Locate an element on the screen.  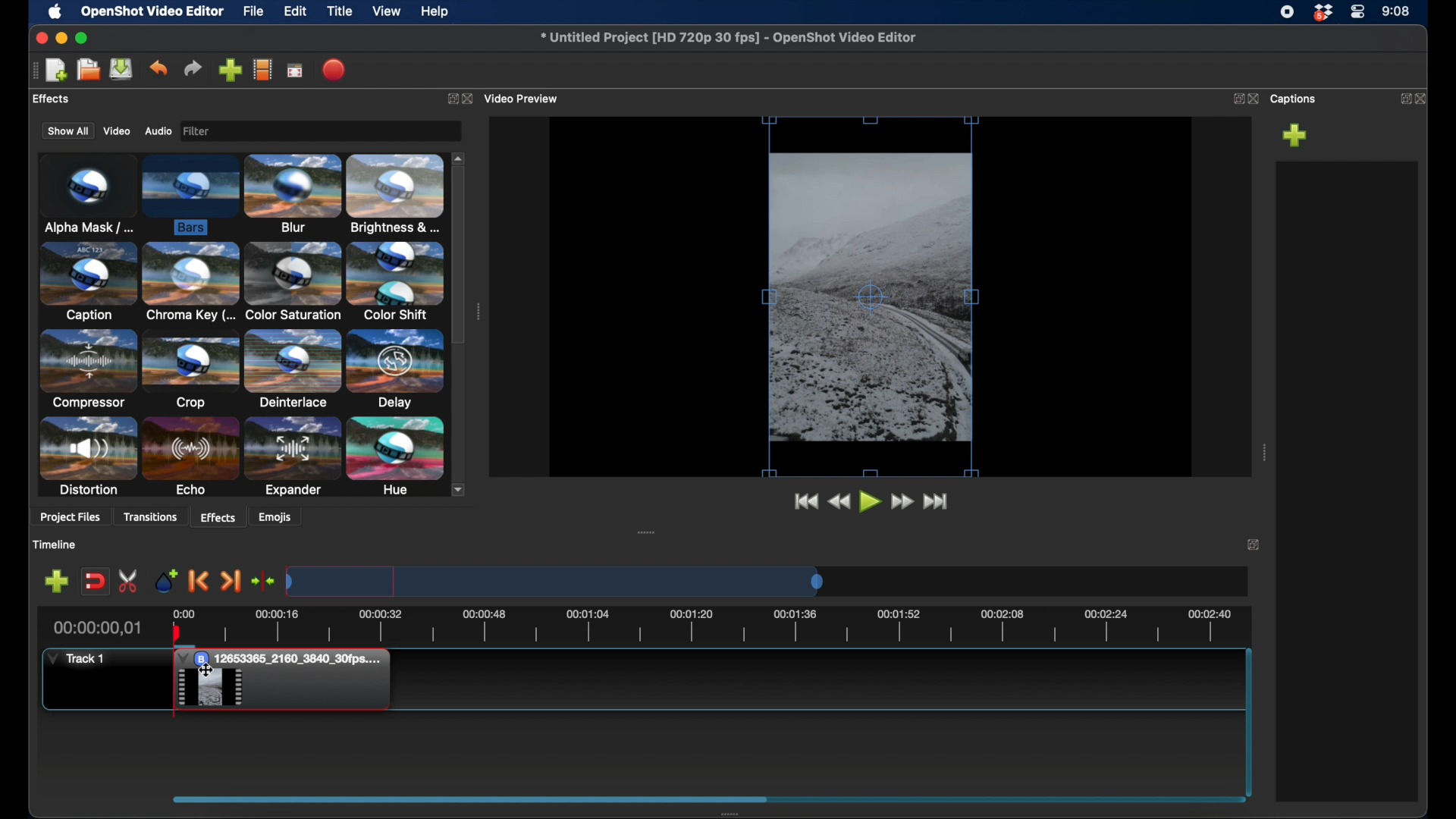
next marker is located at coordinates (231, 581).